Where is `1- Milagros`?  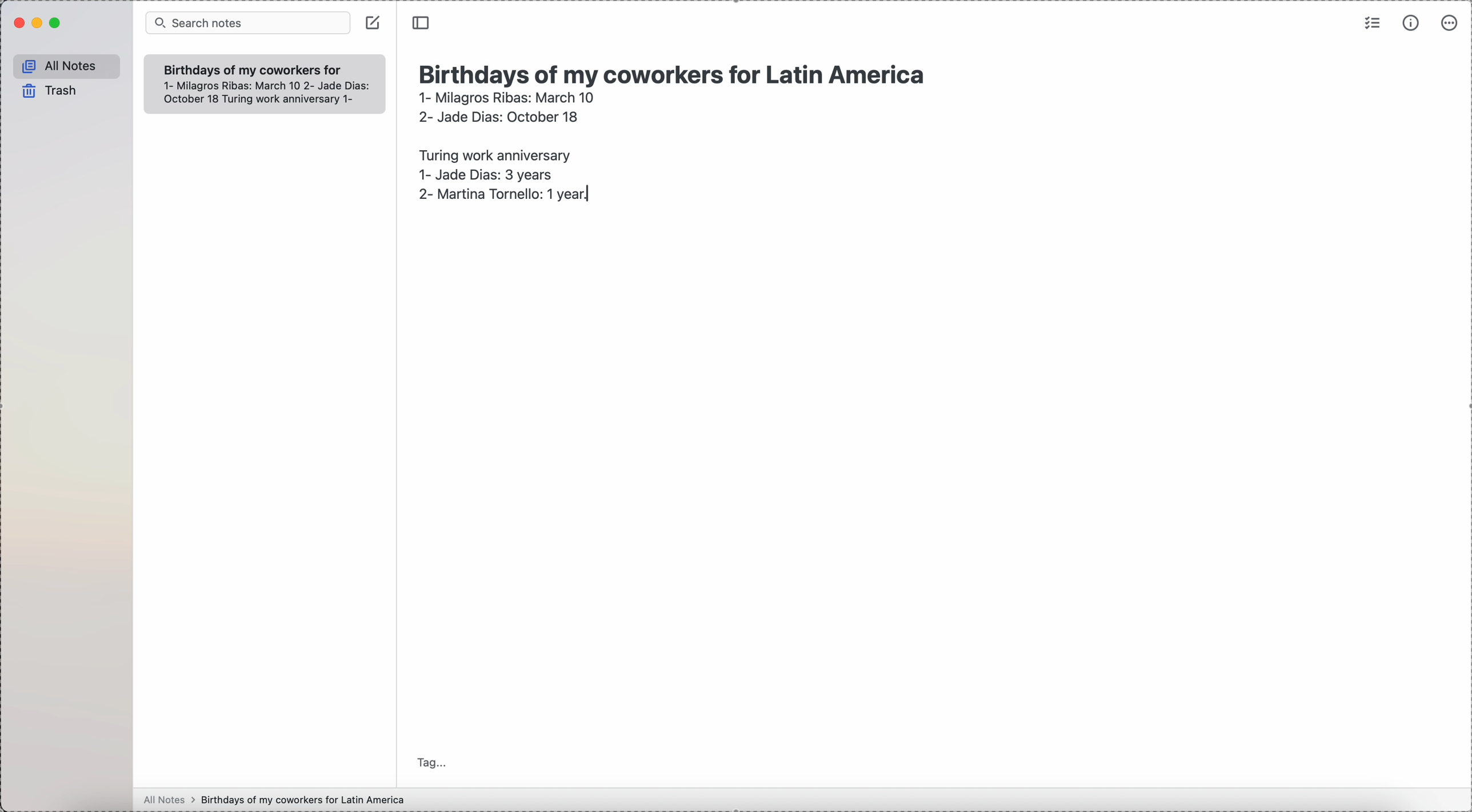 1- Milagros is located at coordinates (506, 97).